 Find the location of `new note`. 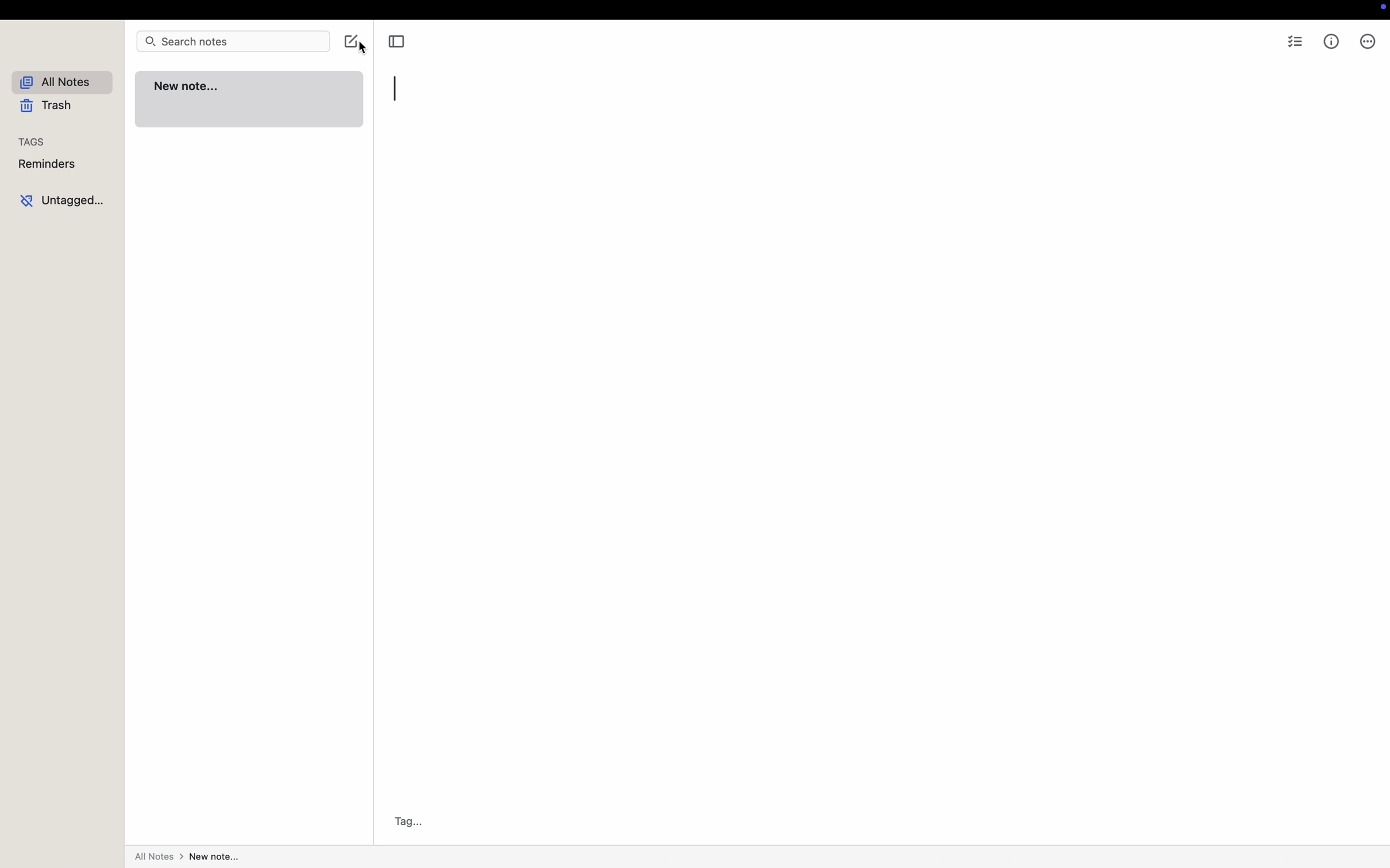

new note is located at coordinates (250, 99).